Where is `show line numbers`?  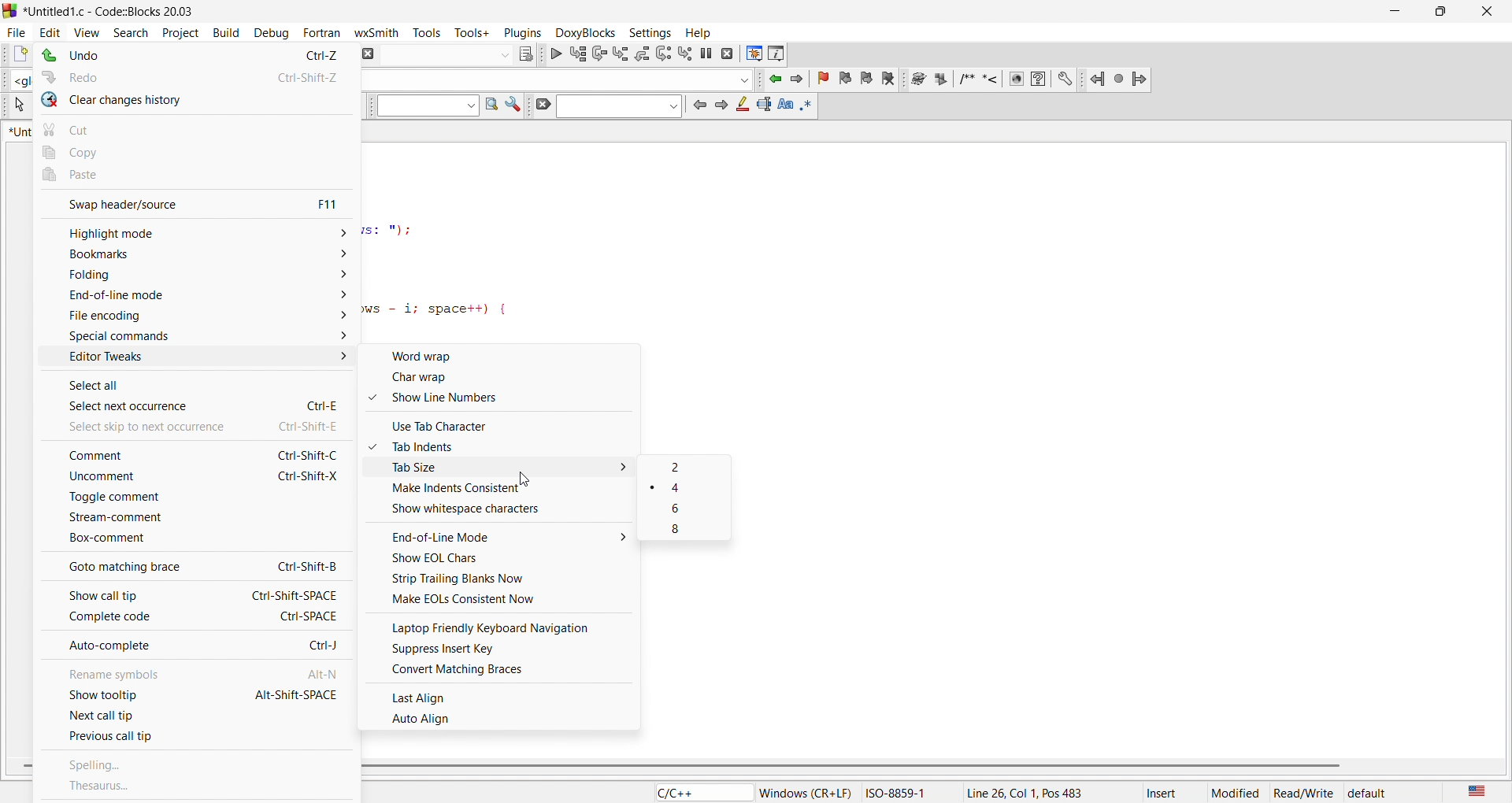 show line numbers is located at coordinates (504, 400).